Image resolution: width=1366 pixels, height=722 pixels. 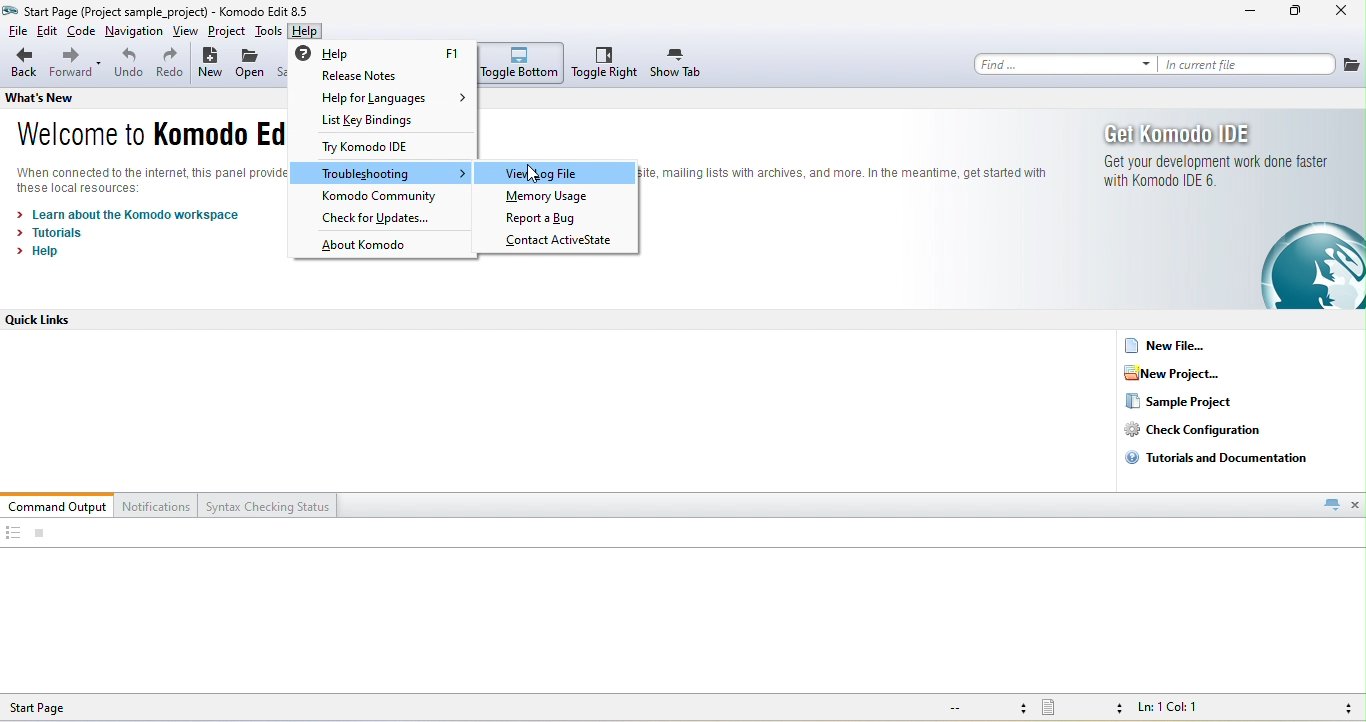 What do you see at coordinates (23, 64) in the screenshot?
I see `back` at bounding box center [23, 64].